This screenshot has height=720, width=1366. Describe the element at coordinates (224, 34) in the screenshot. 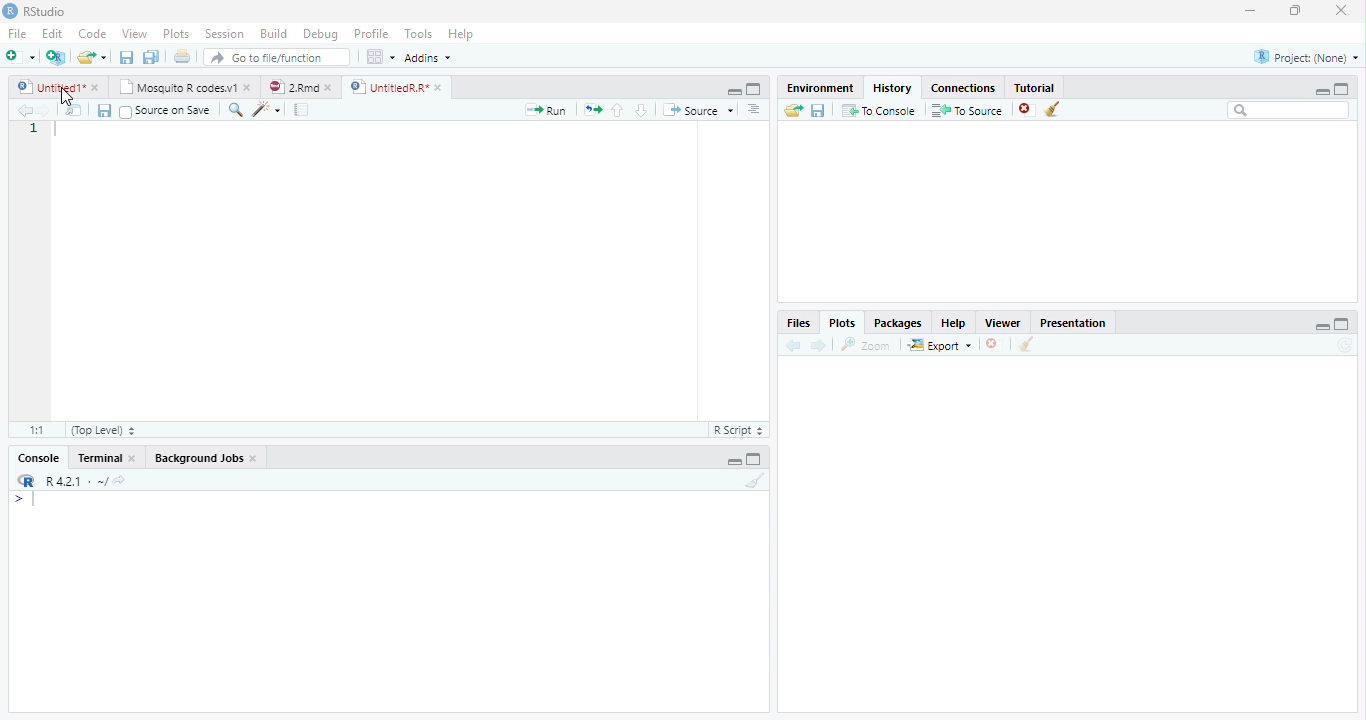

I see `Session` at that location.